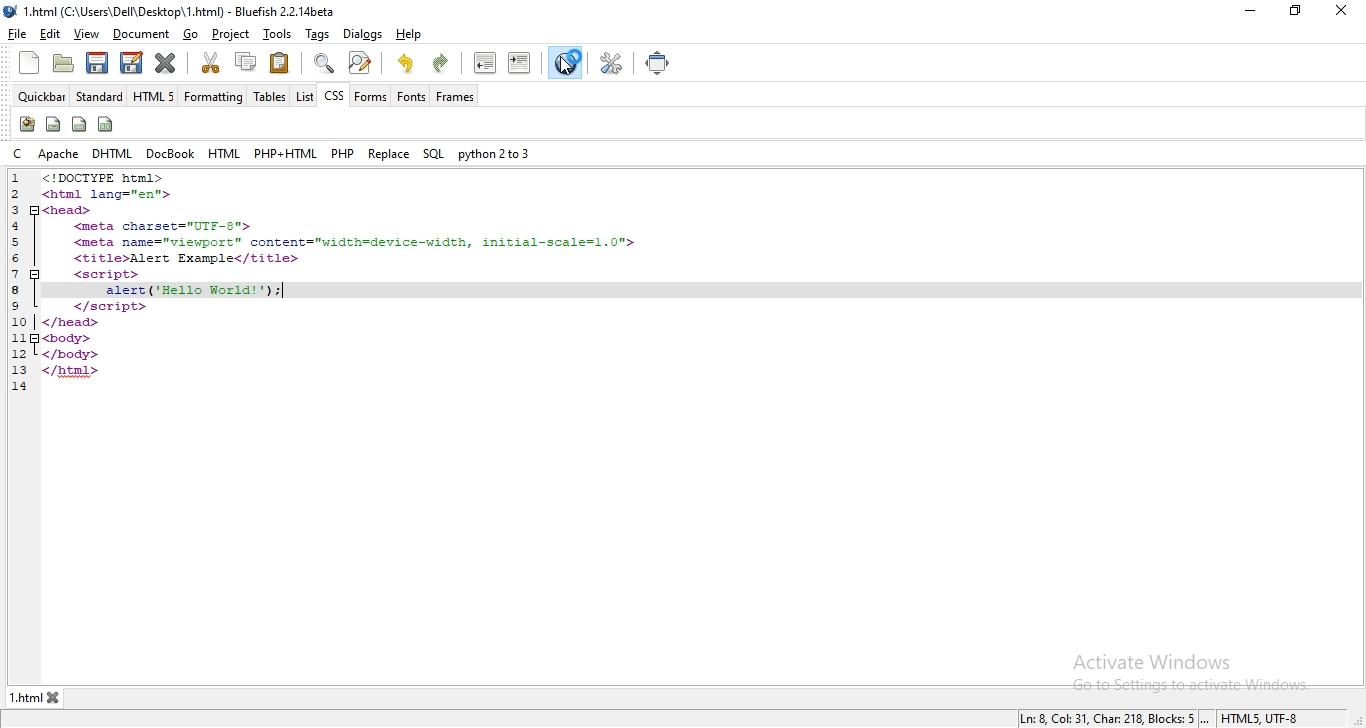  I want to click on 3, so click(14, 209).